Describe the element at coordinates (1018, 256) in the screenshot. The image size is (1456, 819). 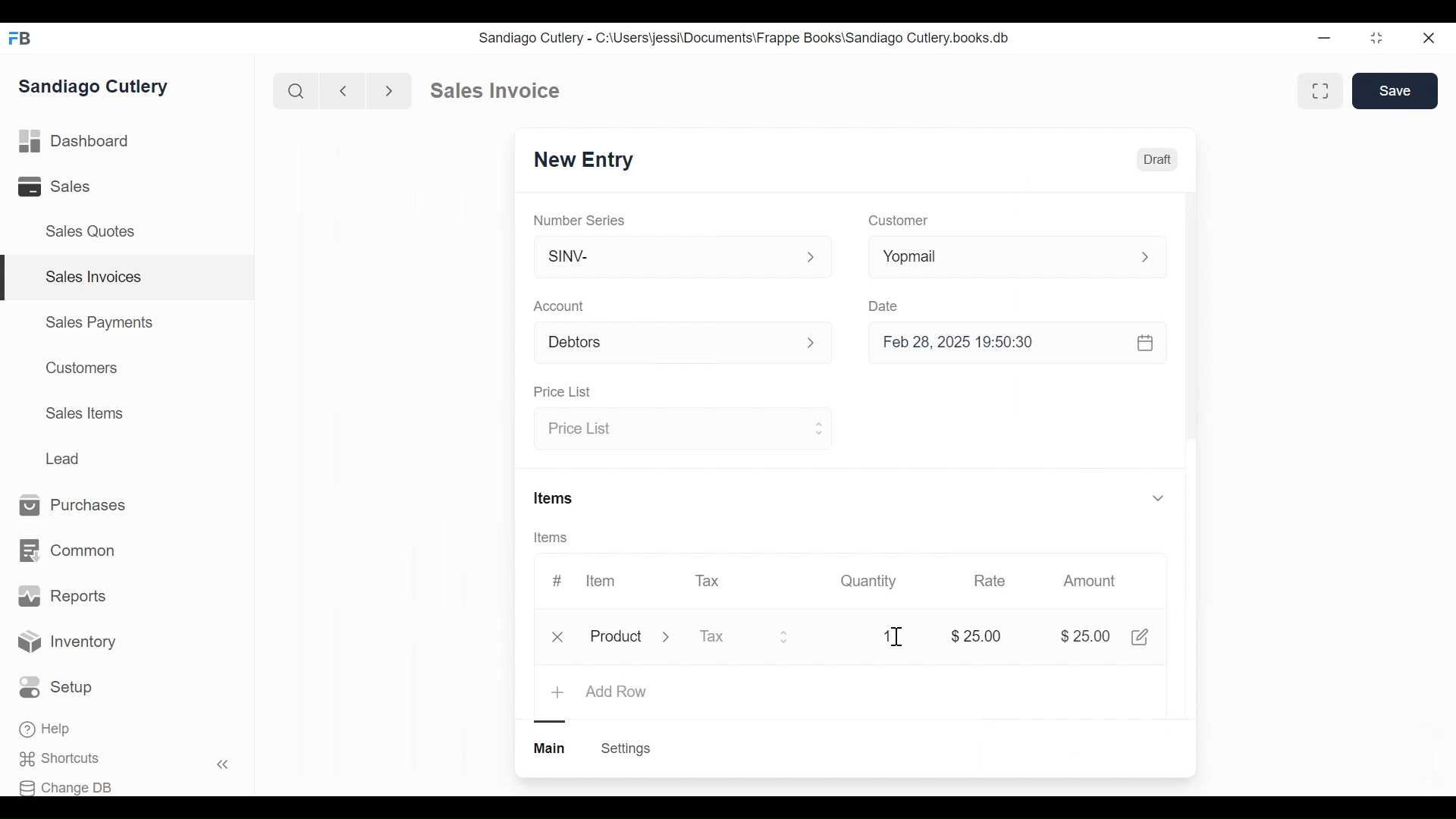
I see `Yopmail` at that location.